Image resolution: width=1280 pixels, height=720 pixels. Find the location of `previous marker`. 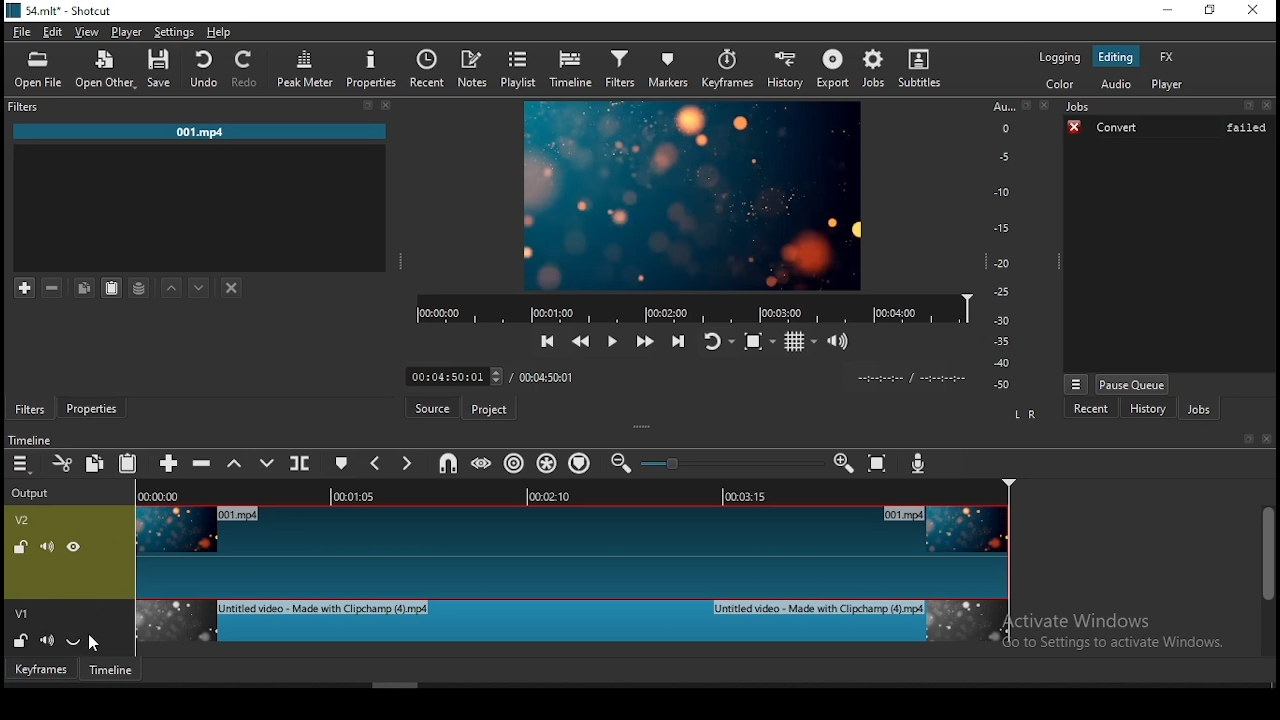

previous marker is located at coordinates (374, 464).